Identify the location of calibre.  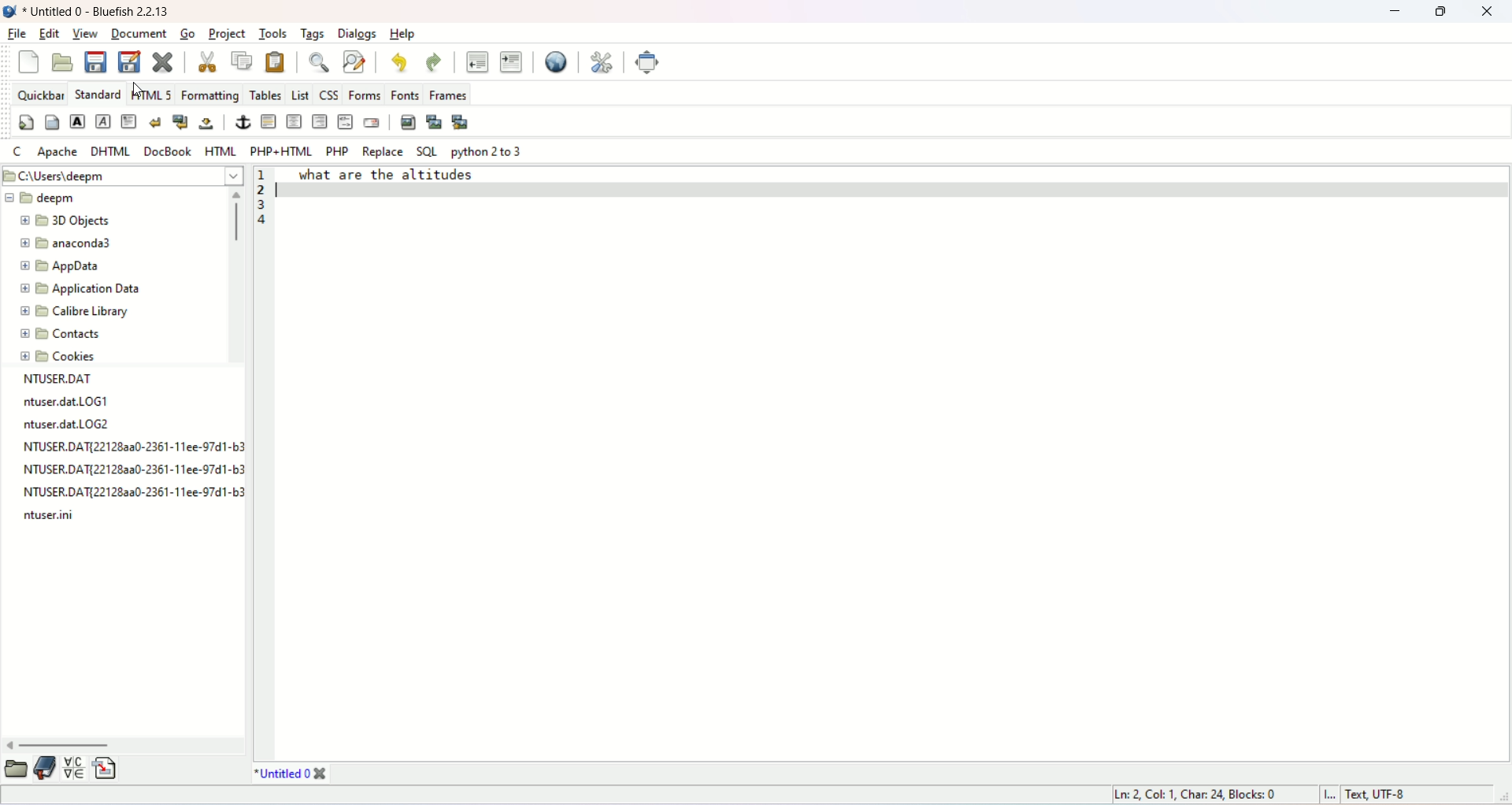
(74, 313).